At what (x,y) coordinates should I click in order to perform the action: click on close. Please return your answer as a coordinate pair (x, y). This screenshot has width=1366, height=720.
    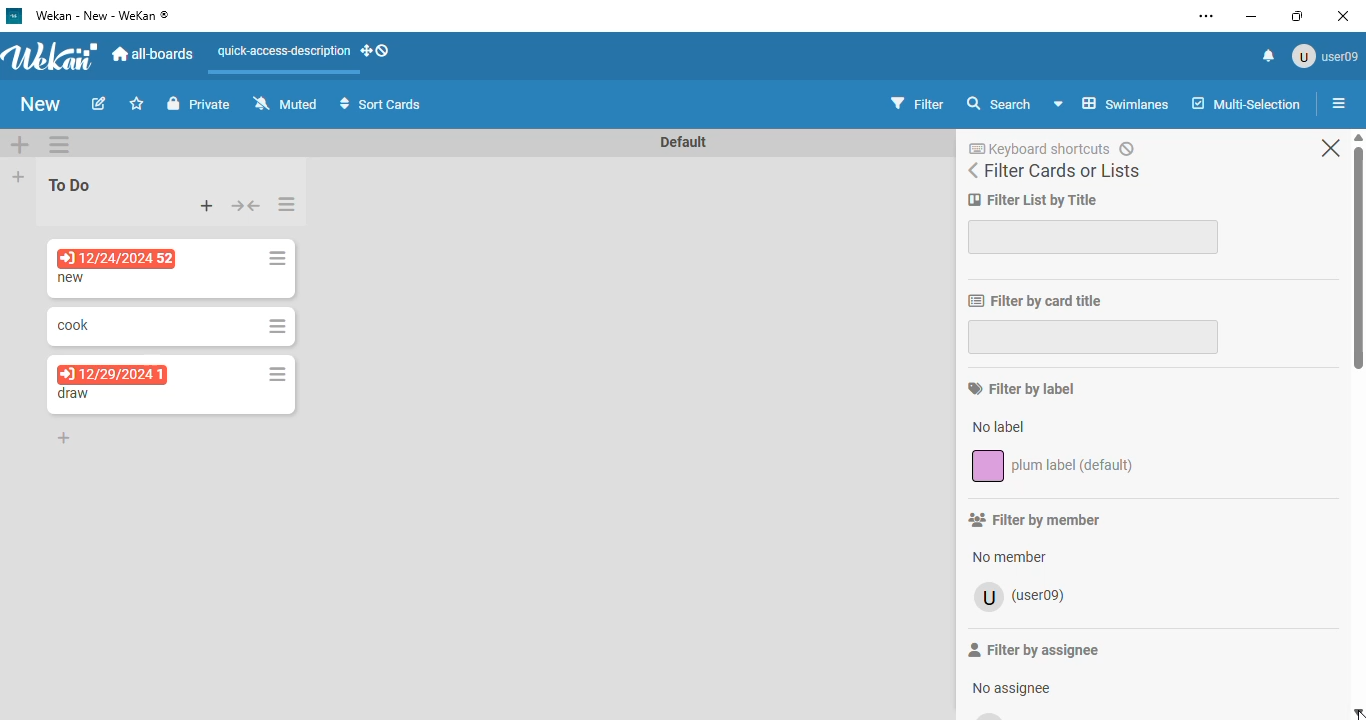
    Looking at the image, I should click on (1340, 15).